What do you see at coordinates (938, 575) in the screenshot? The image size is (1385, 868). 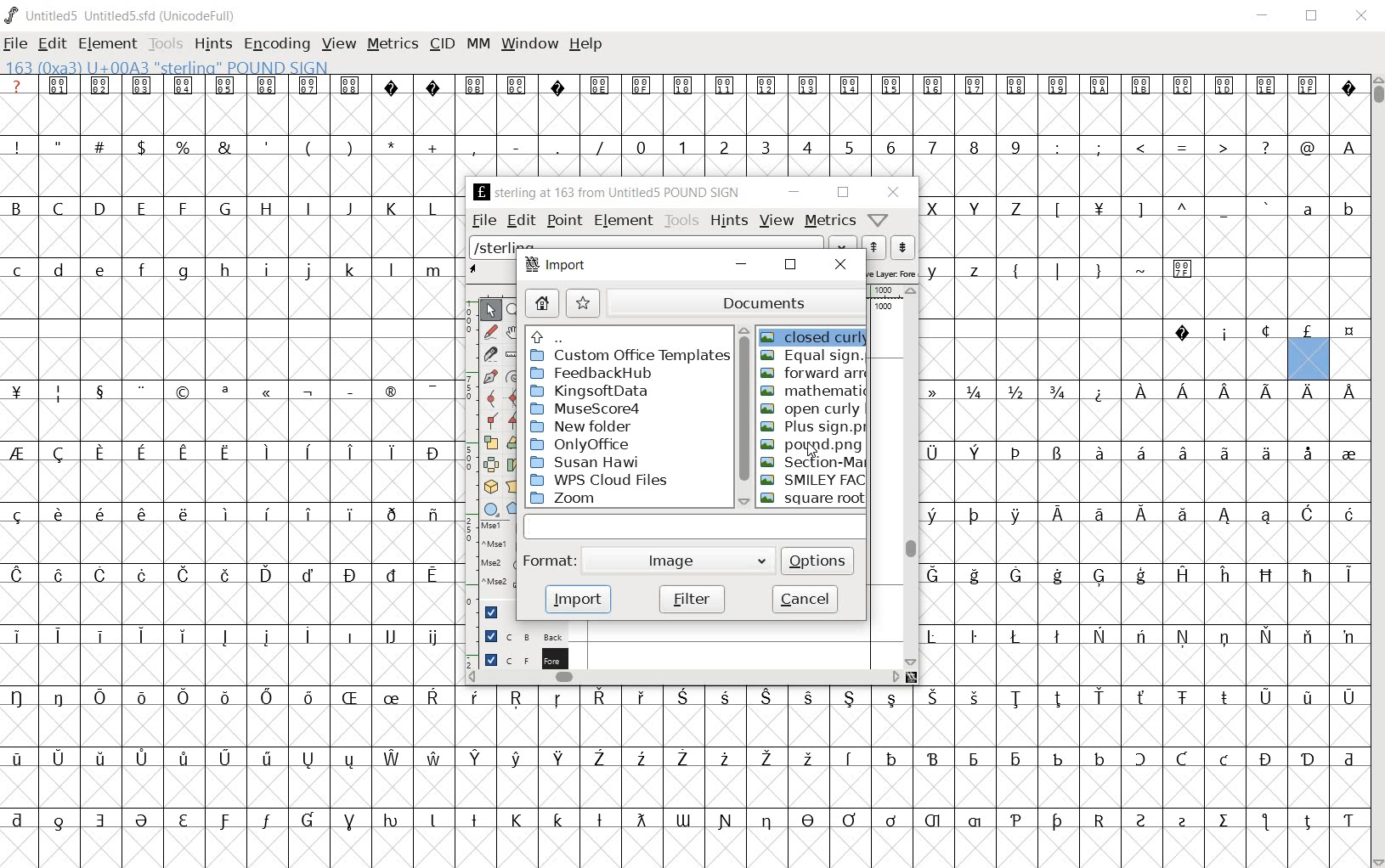 I see `Symbol` at bounding box center [938, 575].